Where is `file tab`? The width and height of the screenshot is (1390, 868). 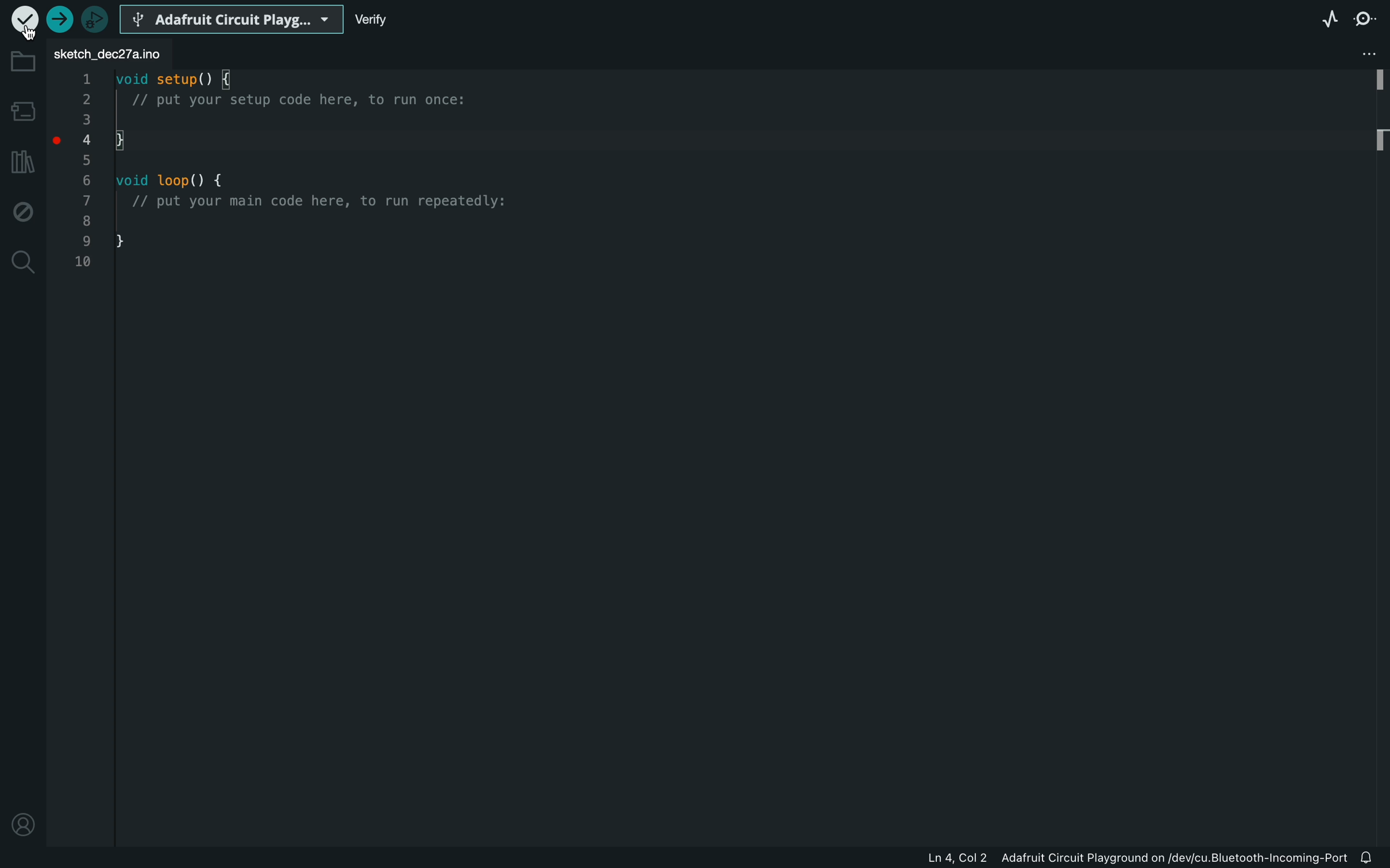 file tab is located at coordinates (110, 49).